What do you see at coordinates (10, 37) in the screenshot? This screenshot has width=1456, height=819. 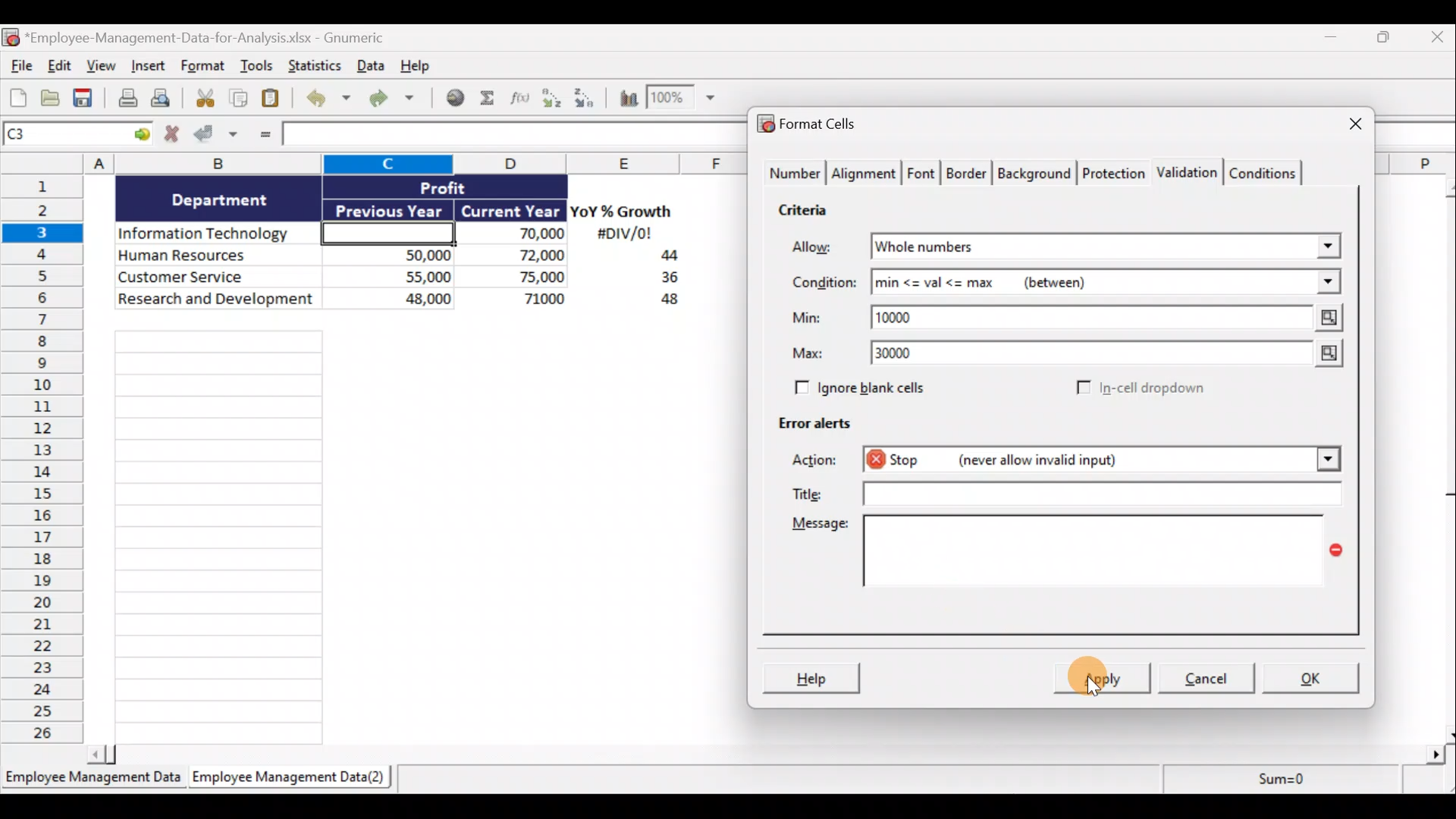 I see `Gnumeric logo` at bounding box center [10, 37].